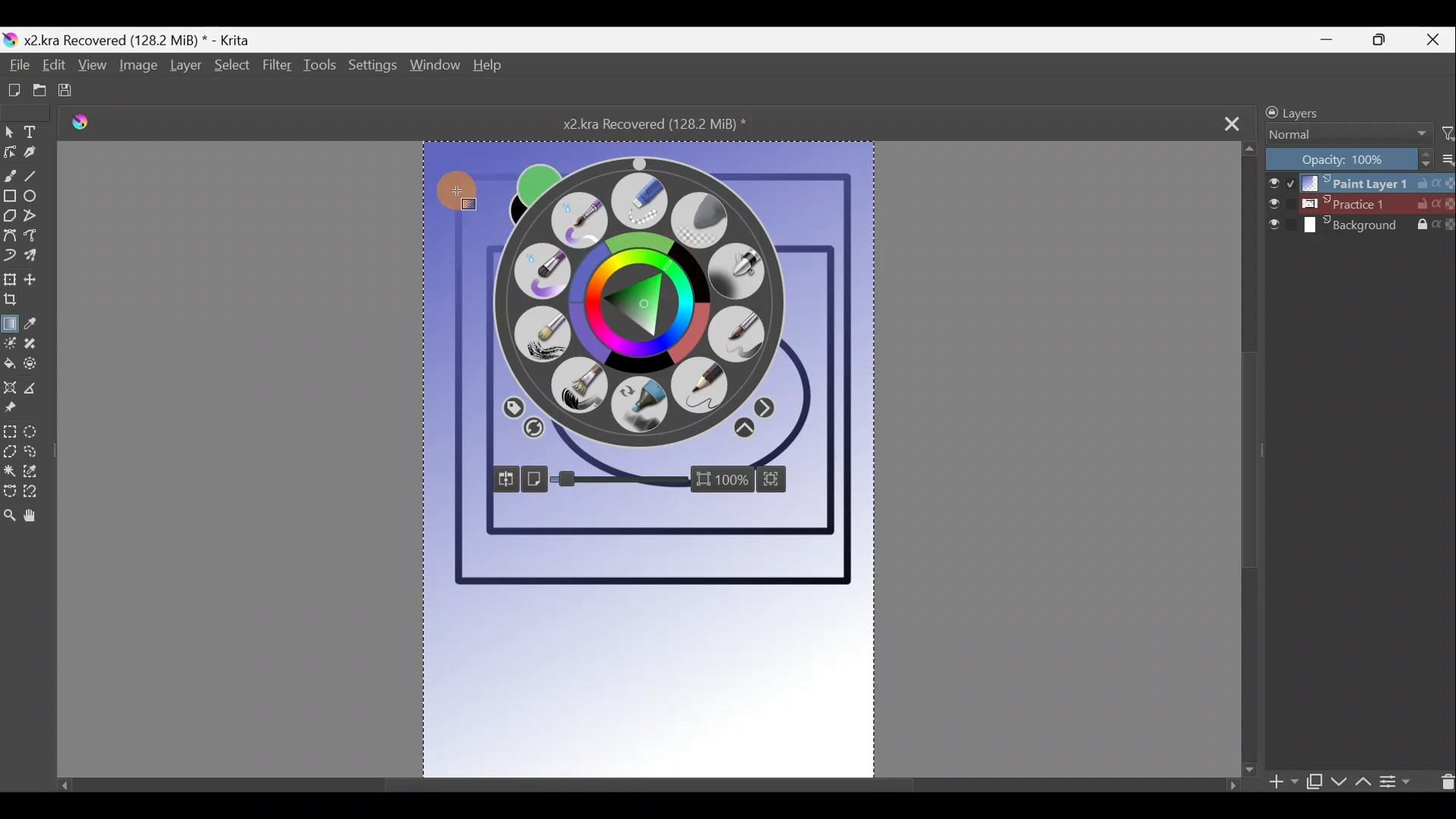  Describe the element at coordinates (11, 281) in the screenshot. I see `Transform a layer/selection` at that location.